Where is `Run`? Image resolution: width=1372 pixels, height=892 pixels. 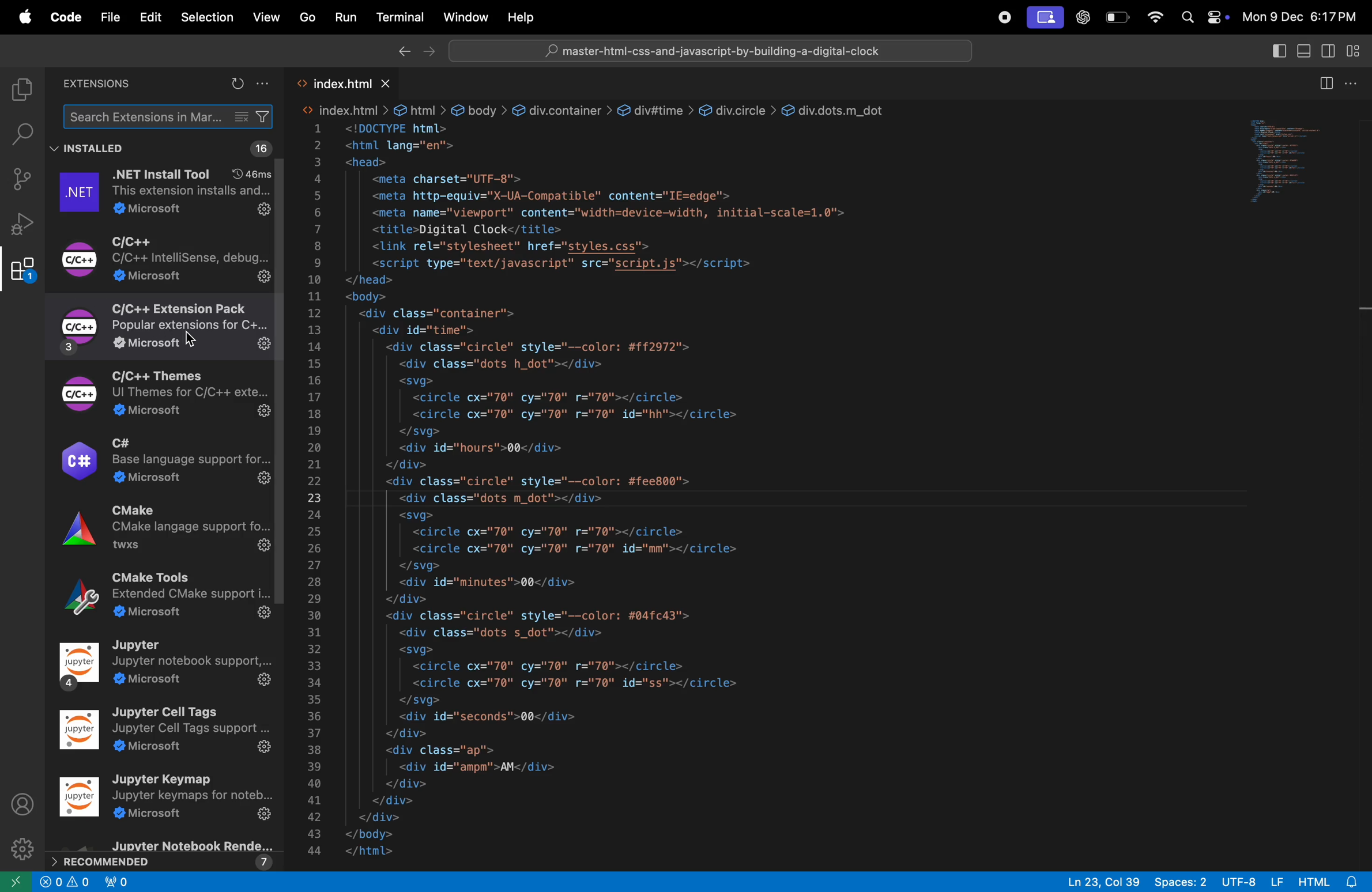
Run is located at coordinates (346, 17).